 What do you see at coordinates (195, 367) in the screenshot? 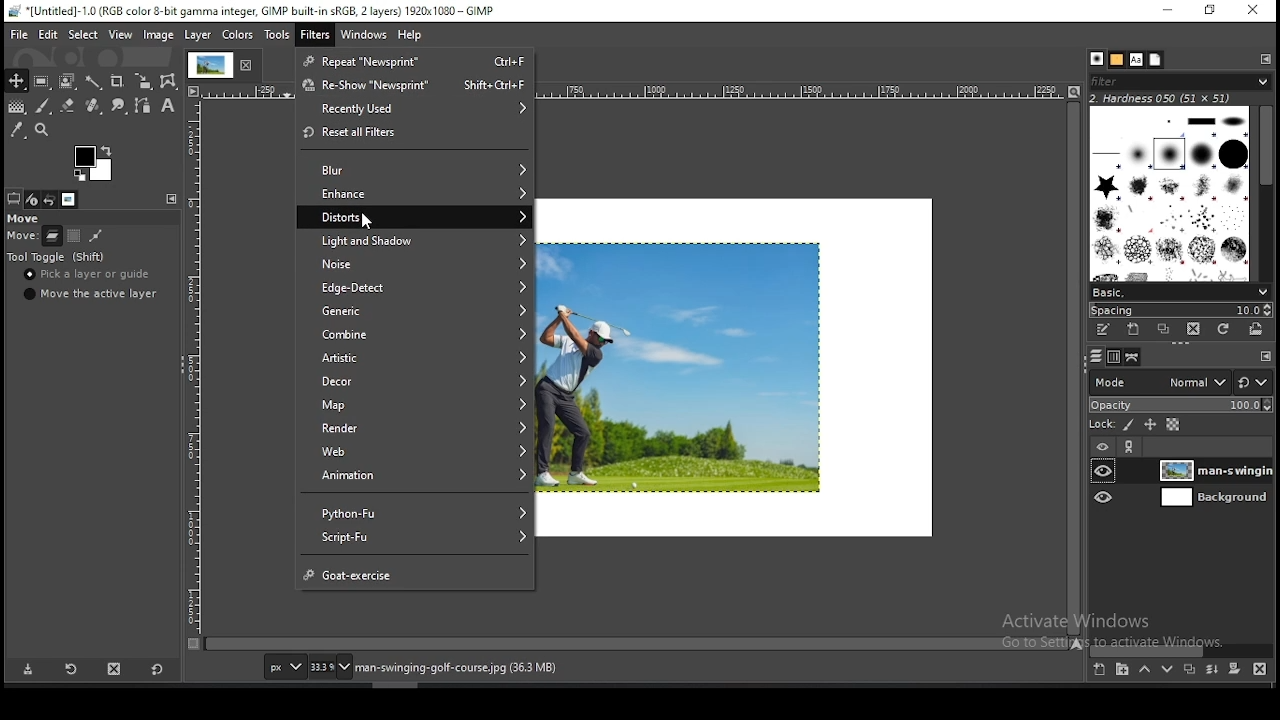
I see `scale (vertical)` at bounding box center [195, 367].